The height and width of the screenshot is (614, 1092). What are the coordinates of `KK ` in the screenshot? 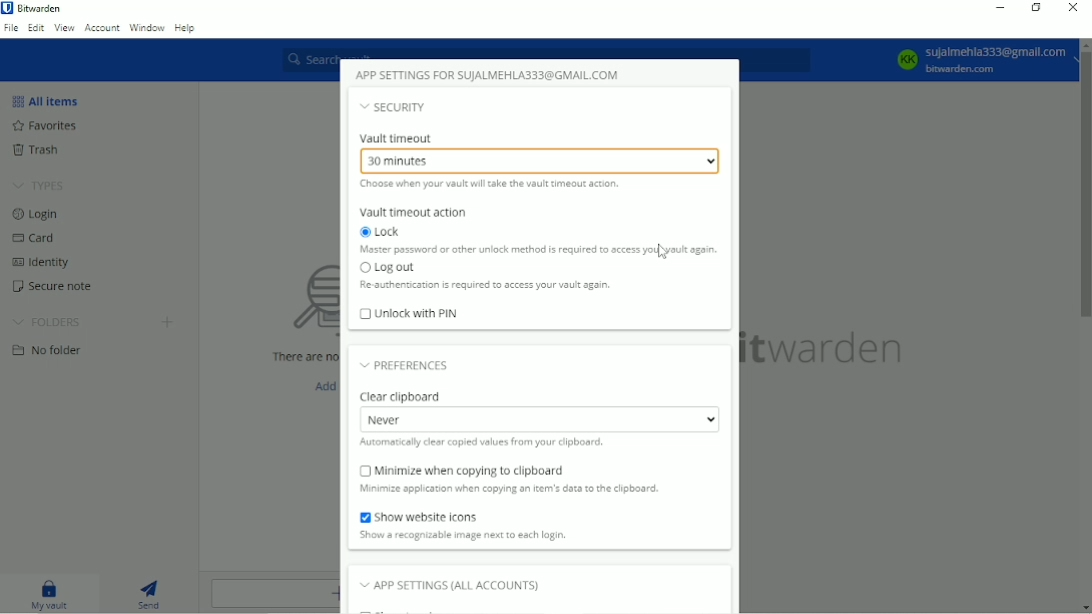 It's located at (907, 59).